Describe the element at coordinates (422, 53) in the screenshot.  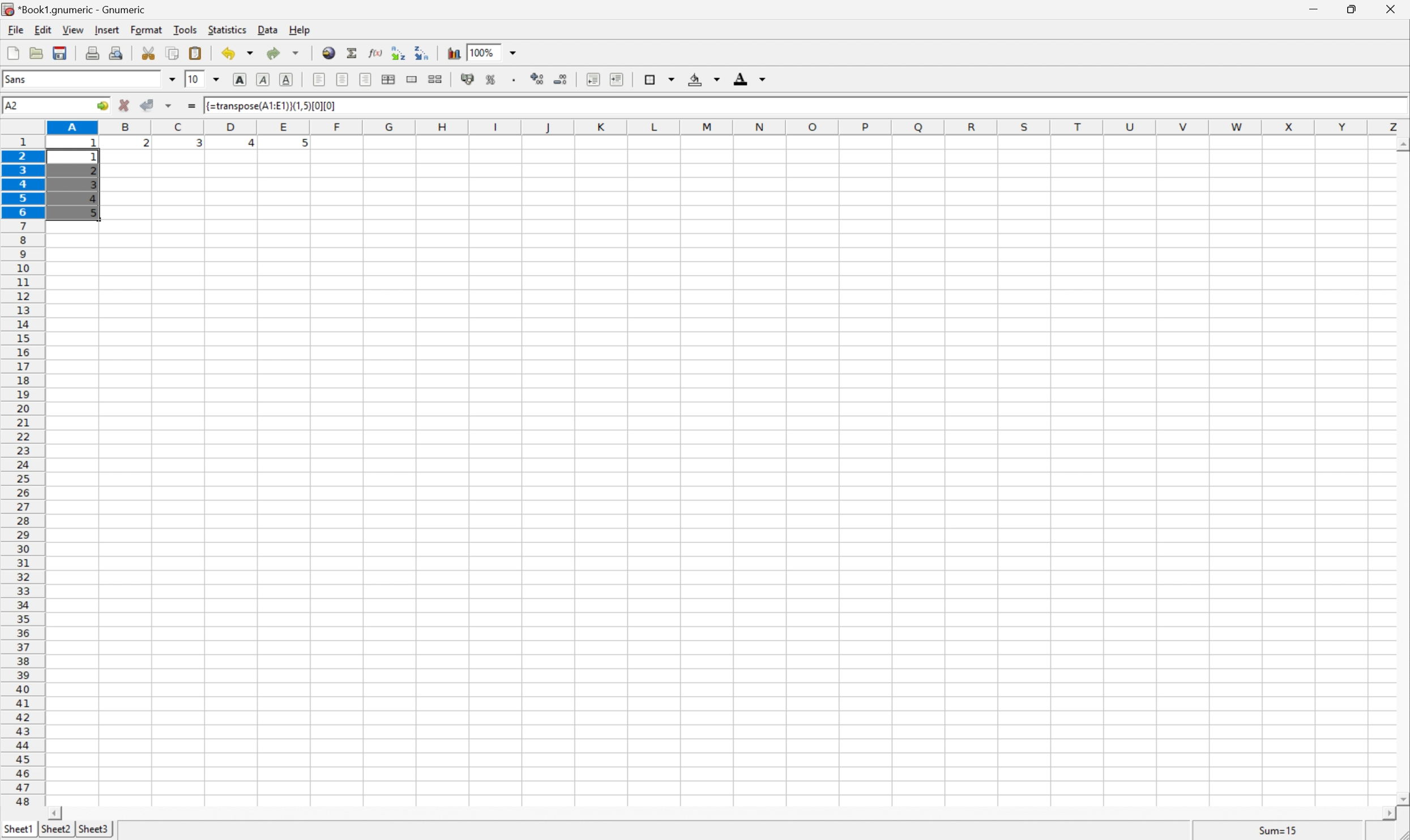
I see `Sort the selected region in descending order based on the first column selected` at that location.